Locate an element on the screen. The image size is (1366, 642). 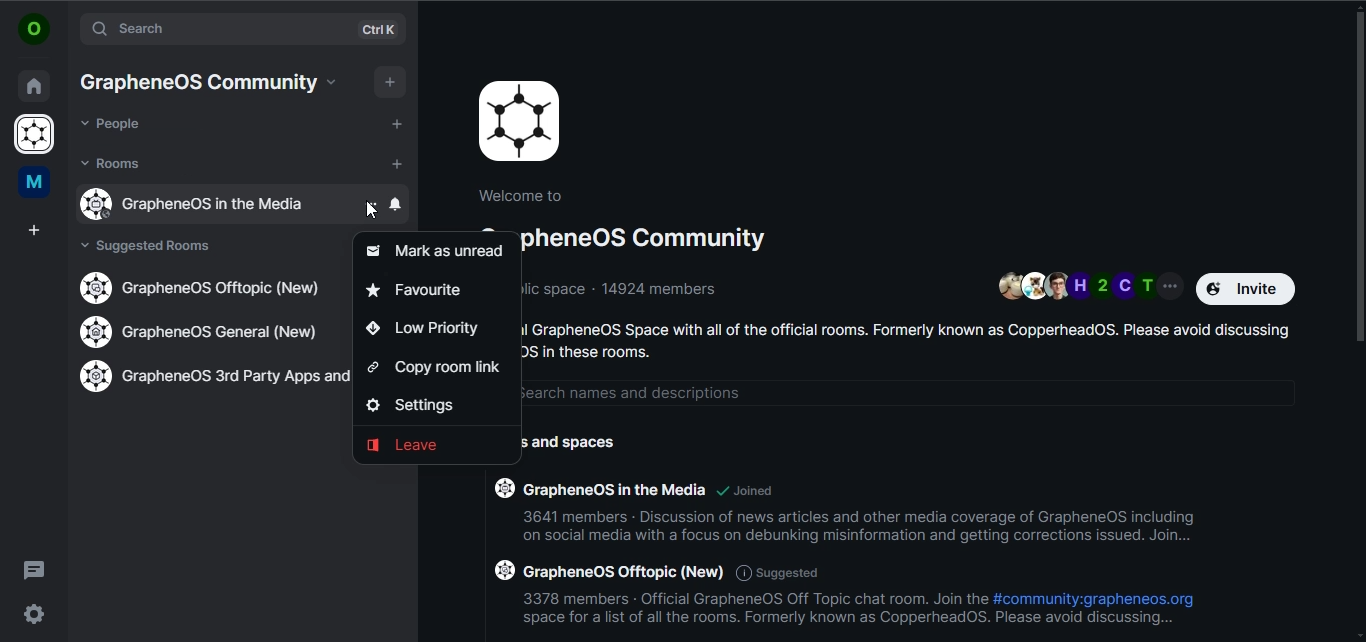
scrolbar is located at coordinates (1357, 171).